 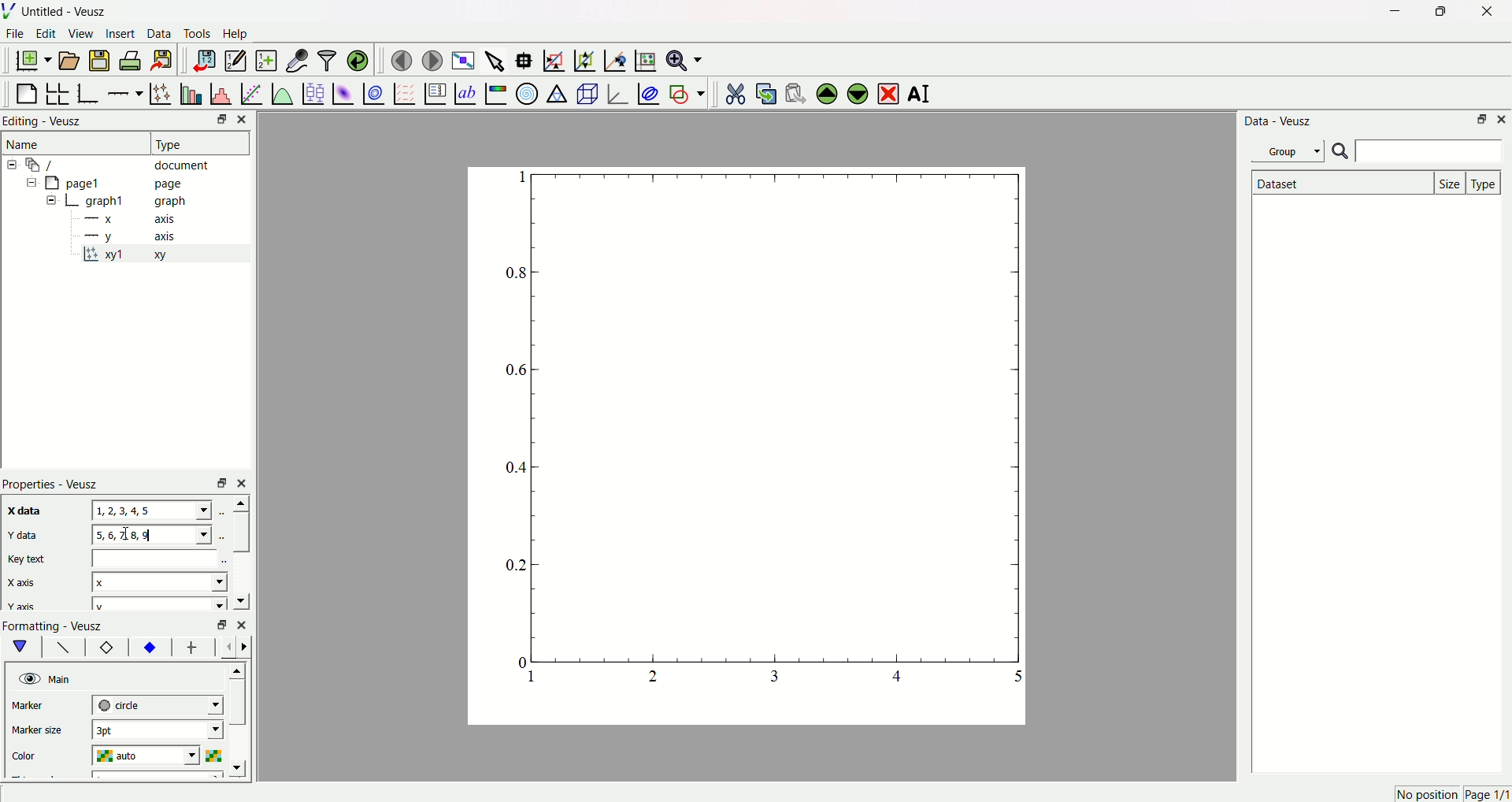 What do you see at coordinates (35, 61) in the screenshot?
I see `new document` at bounding box center [35, 61].